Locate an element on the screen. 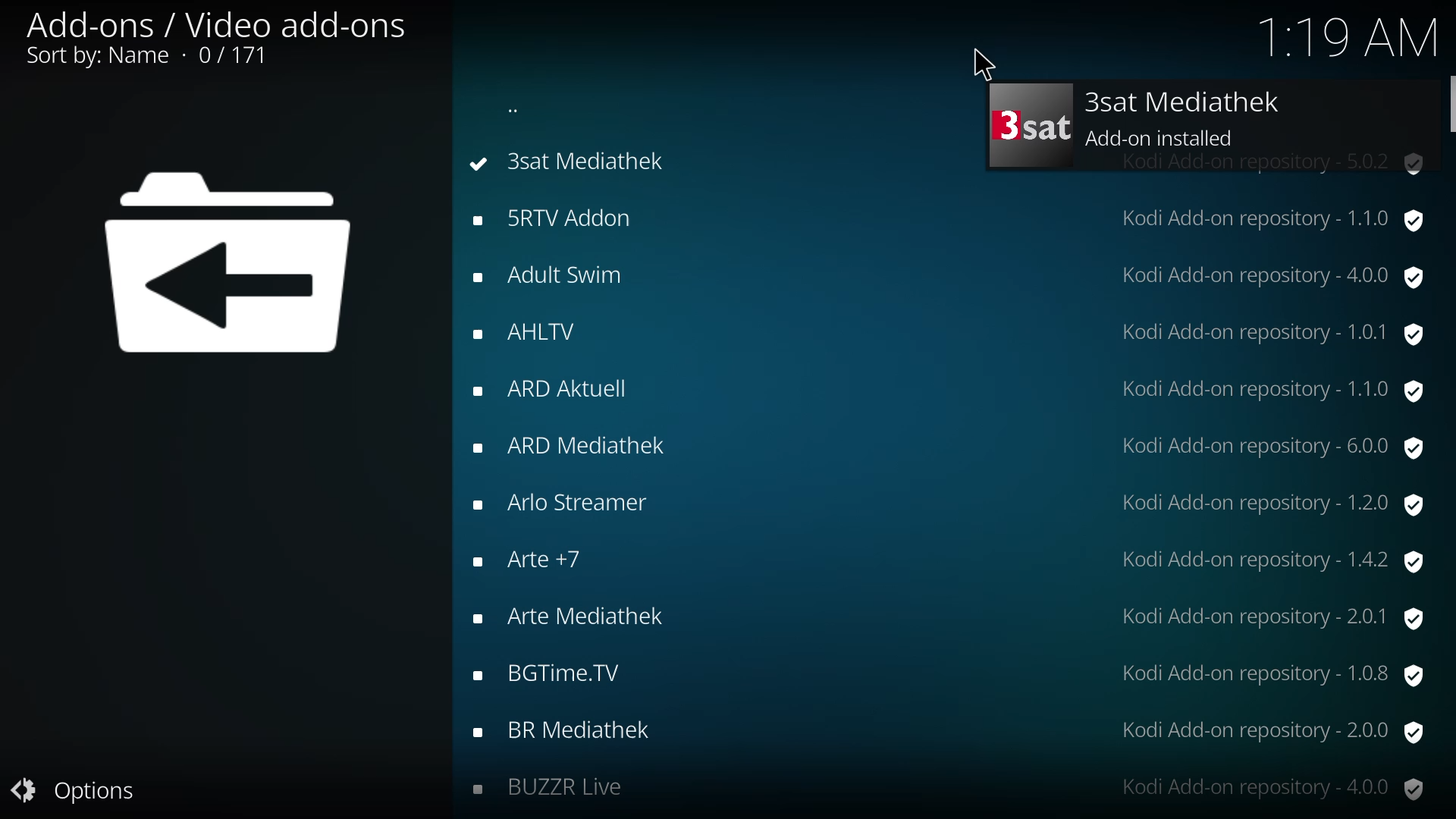  version is located at coordinates (1266, 674).